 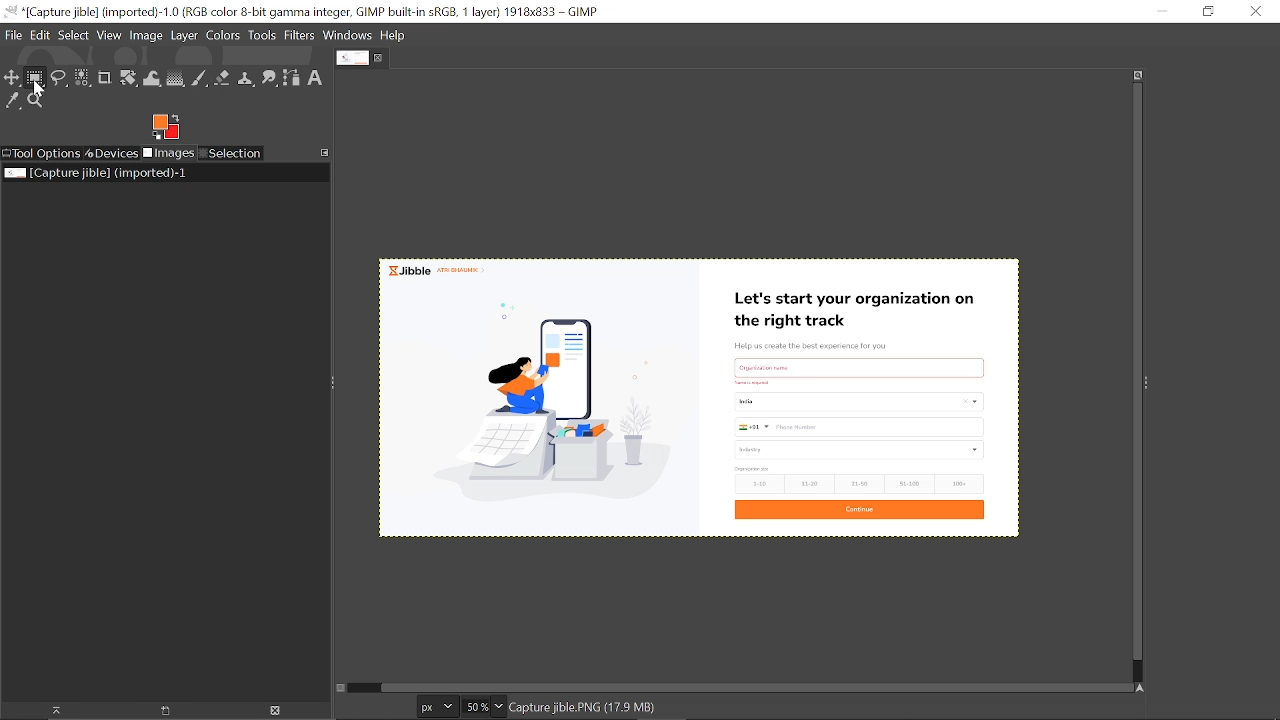 What do you see at coordinates (752, 469) in the screenshot?
I see `size` at bounding box center [752, 469].